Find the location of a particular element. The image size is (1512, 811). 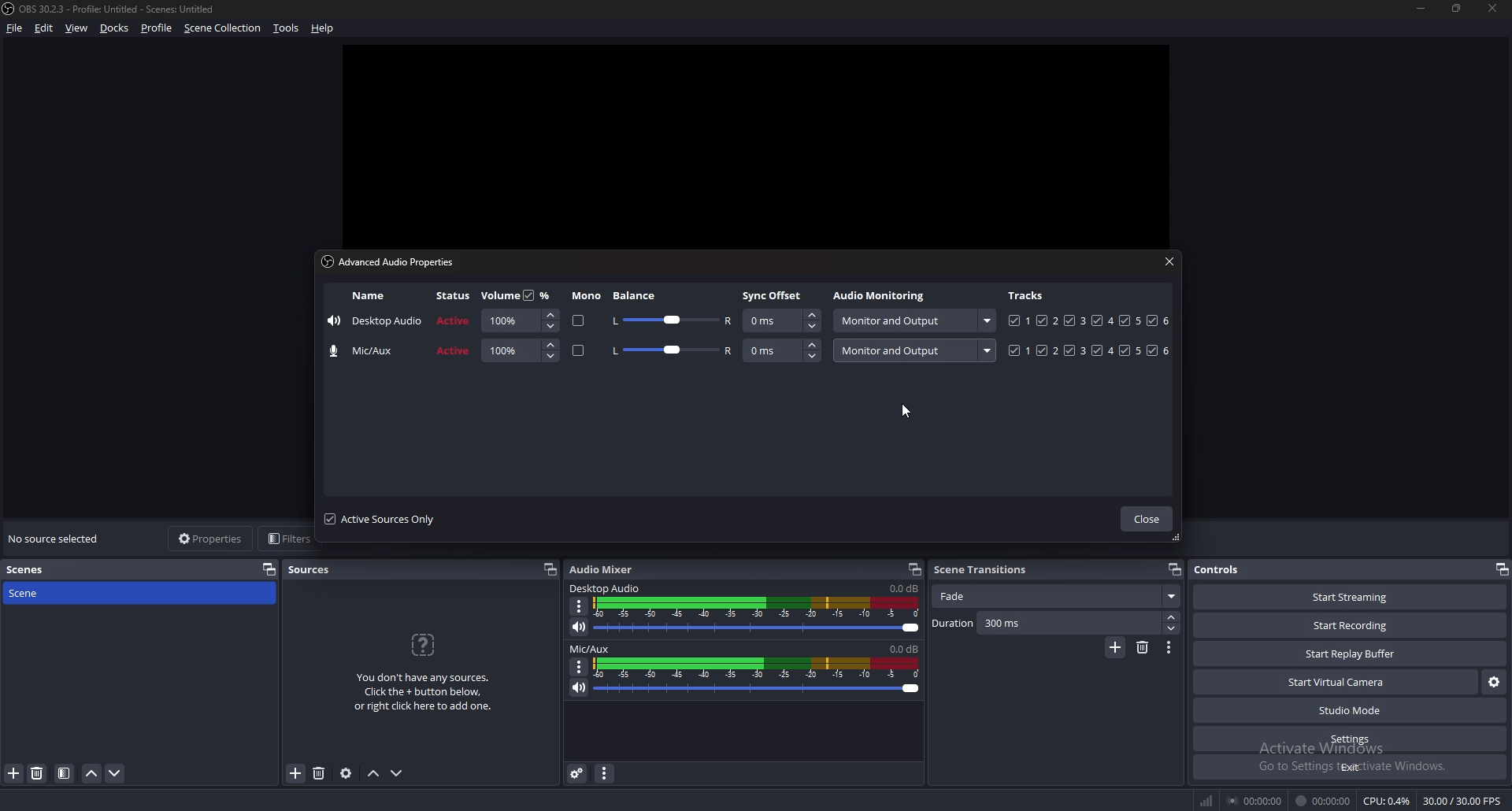

add transition is located at coordinates (1116, 647).